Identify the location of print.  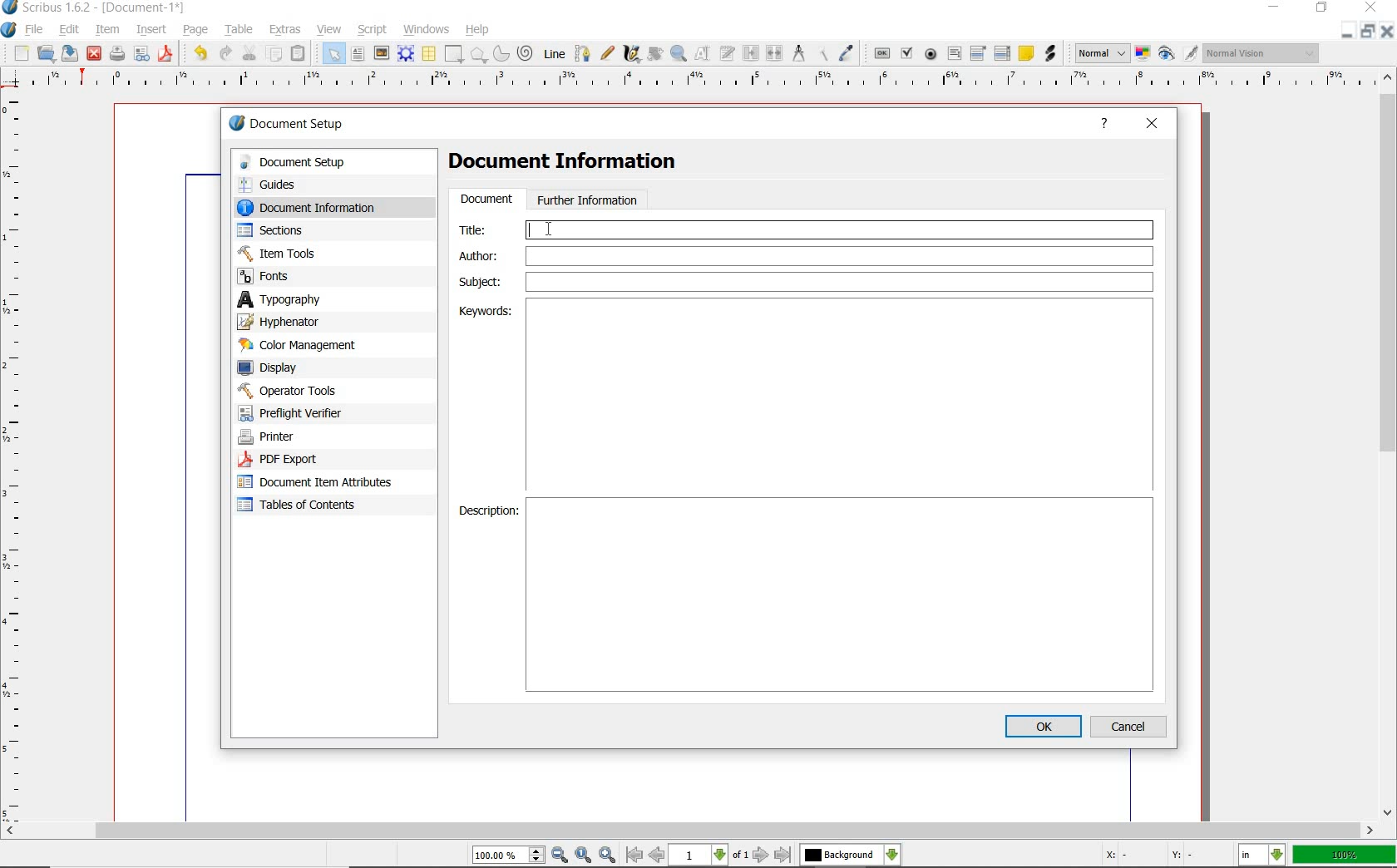
(117, 55).